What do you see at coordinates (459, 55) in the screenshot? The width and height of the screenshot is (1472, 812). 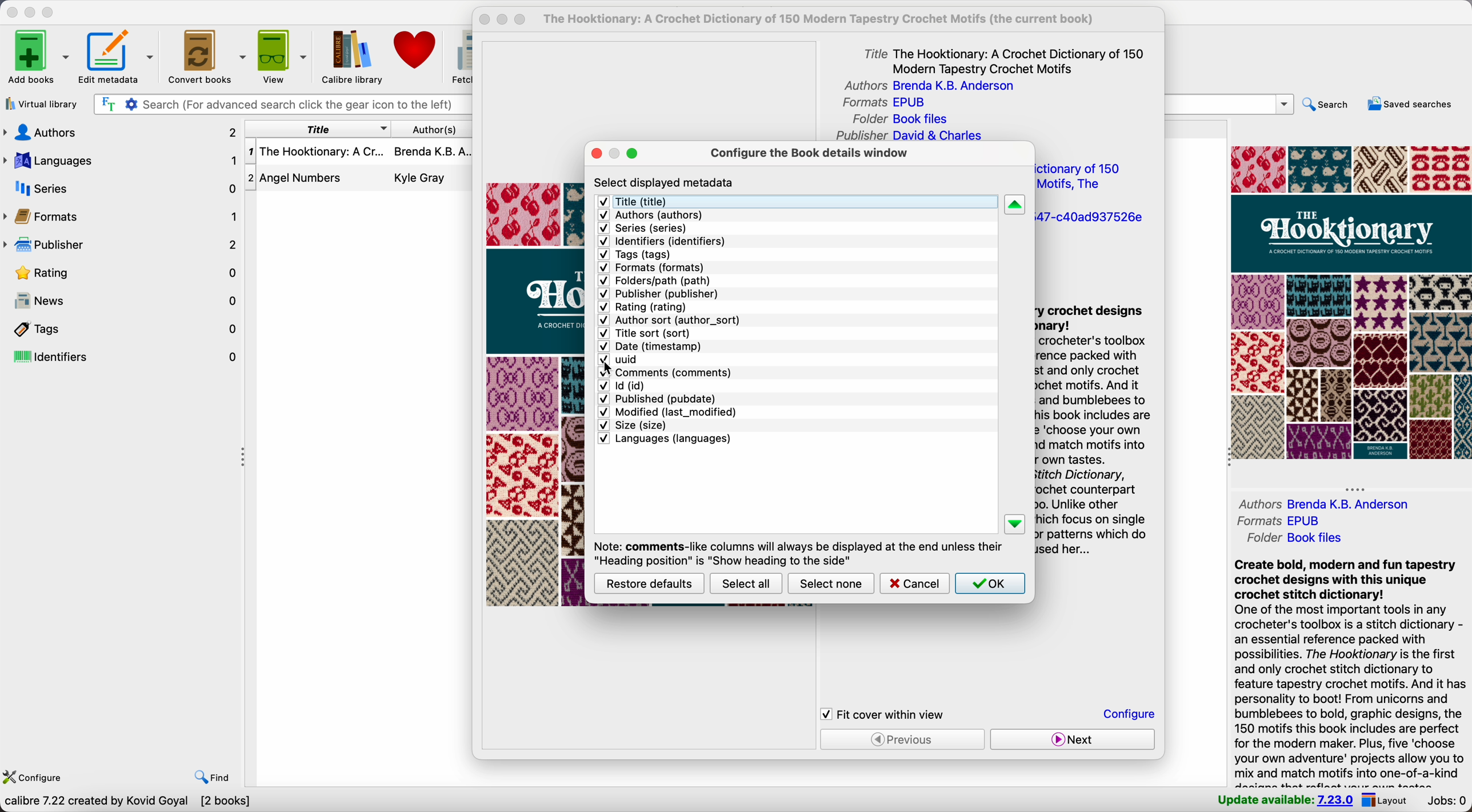 I see `fetch news` at bounding box center [459, 55].